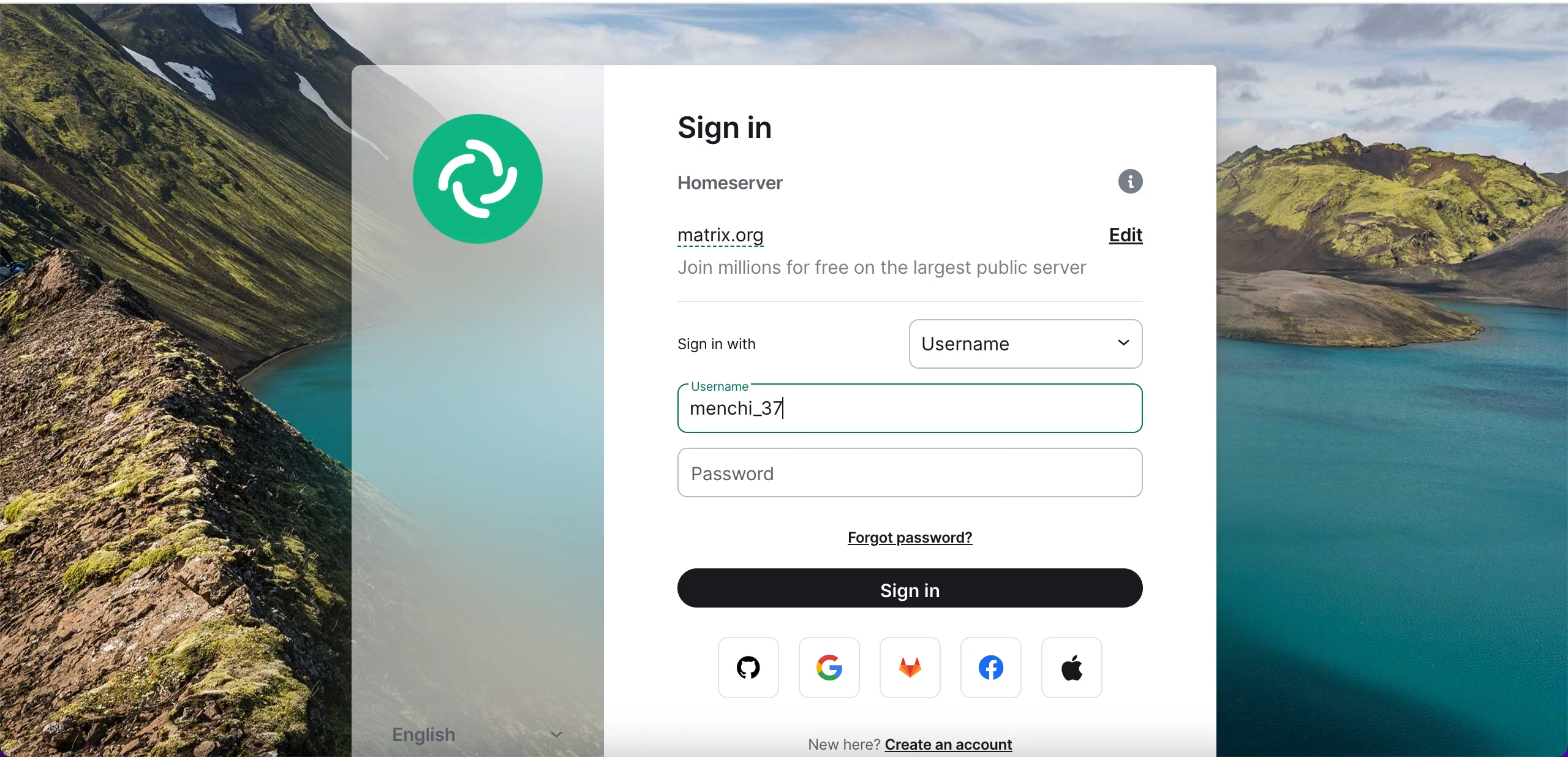  What do you see at coordinates (1144, 237) in the screenshot?
I see `edit` at bounding box center [1144, 237].